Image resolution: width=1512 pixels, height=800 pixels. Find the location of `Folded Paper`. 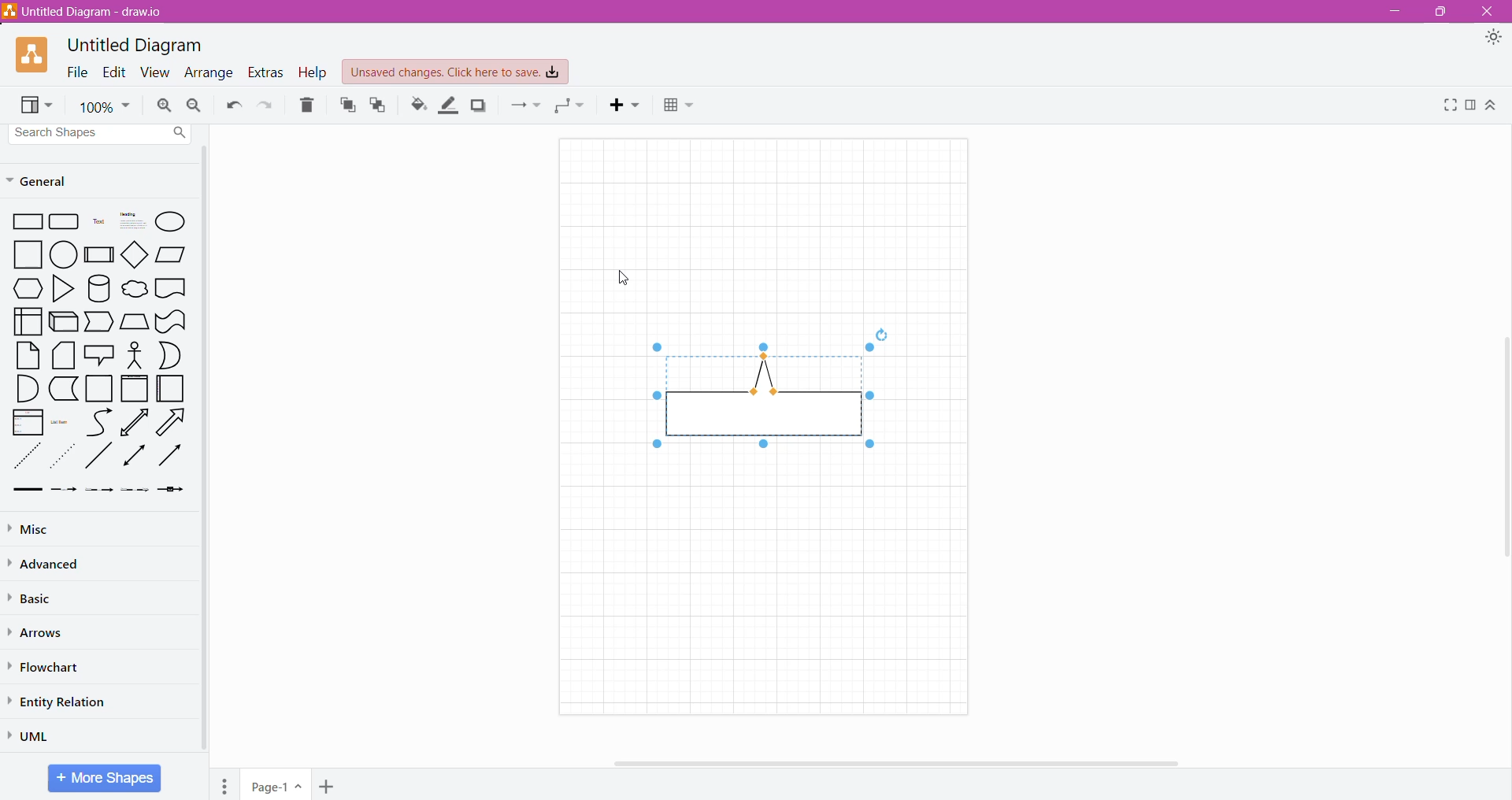

Folded Paper is located at coordinates (173, 388).